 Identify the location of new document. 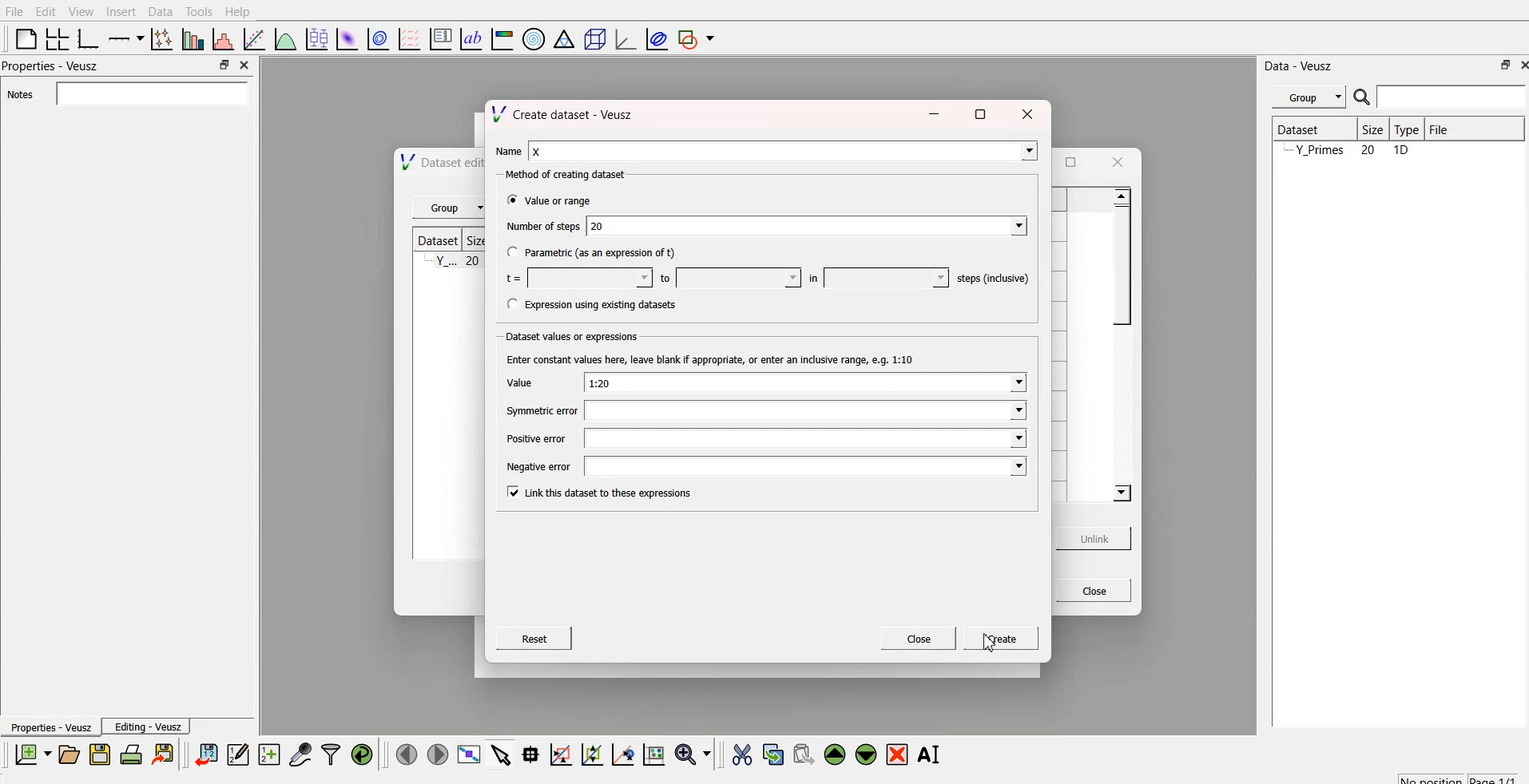
(30, 754).